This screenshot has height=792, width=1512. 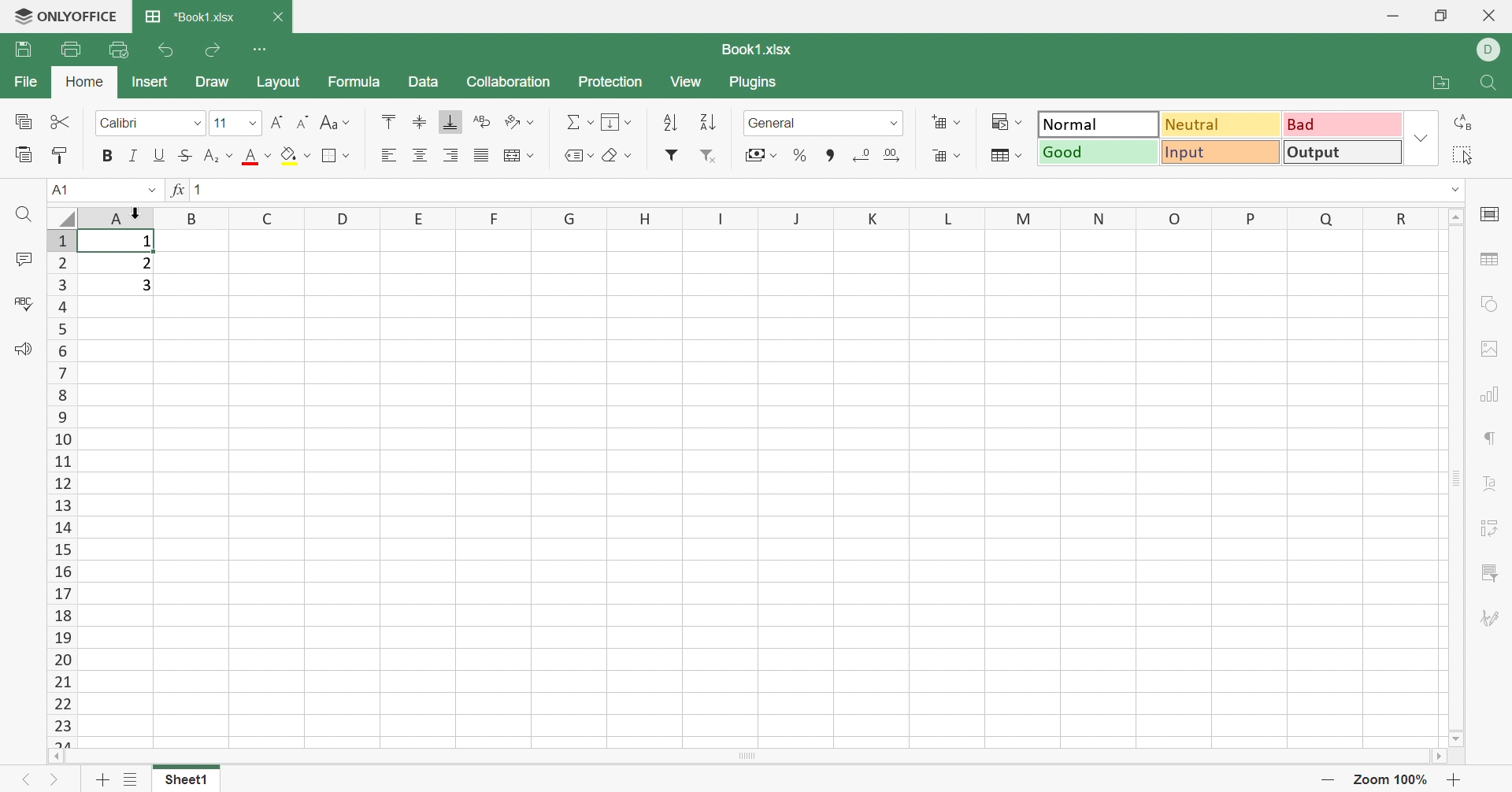 I want to click on Strikethrough, so click(x=187, y=154).